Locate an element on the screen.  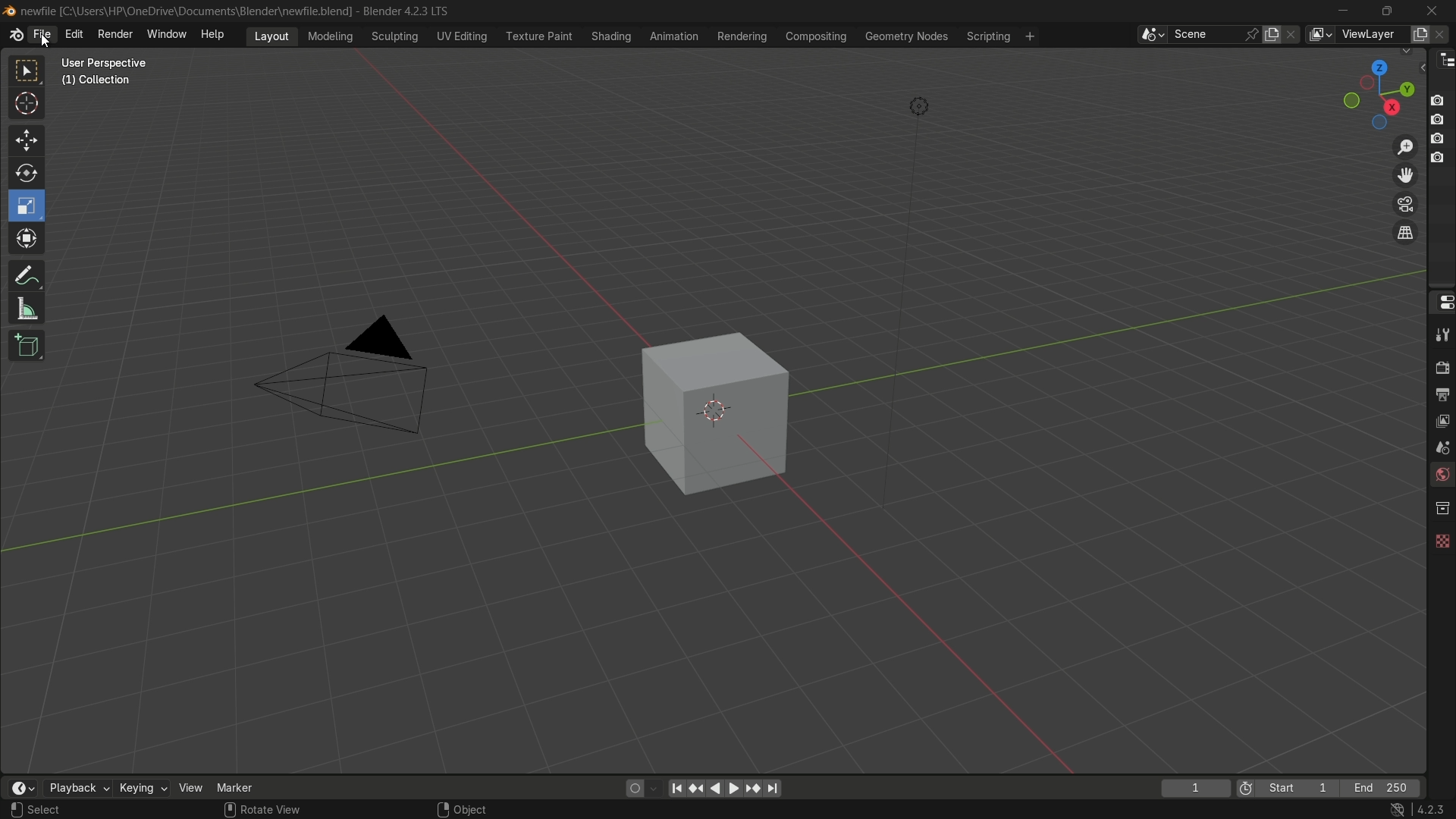
current frame is located at coordinates (1194, 788).